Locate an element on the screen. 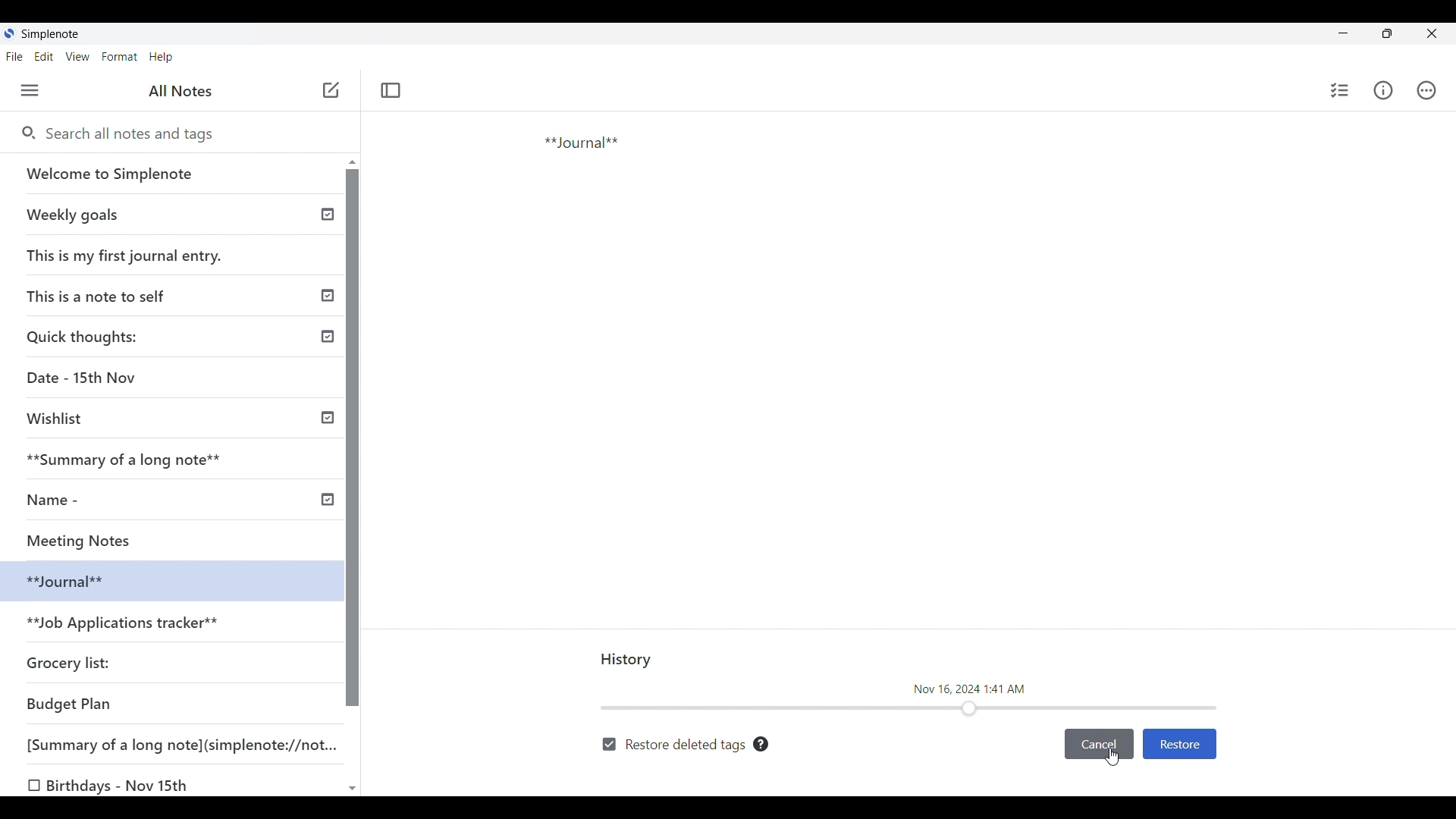 Image resolution: width=1456 pixels, height=819 pixels. Slide bar indicating timeline of note is located at coordinates (910, 708).